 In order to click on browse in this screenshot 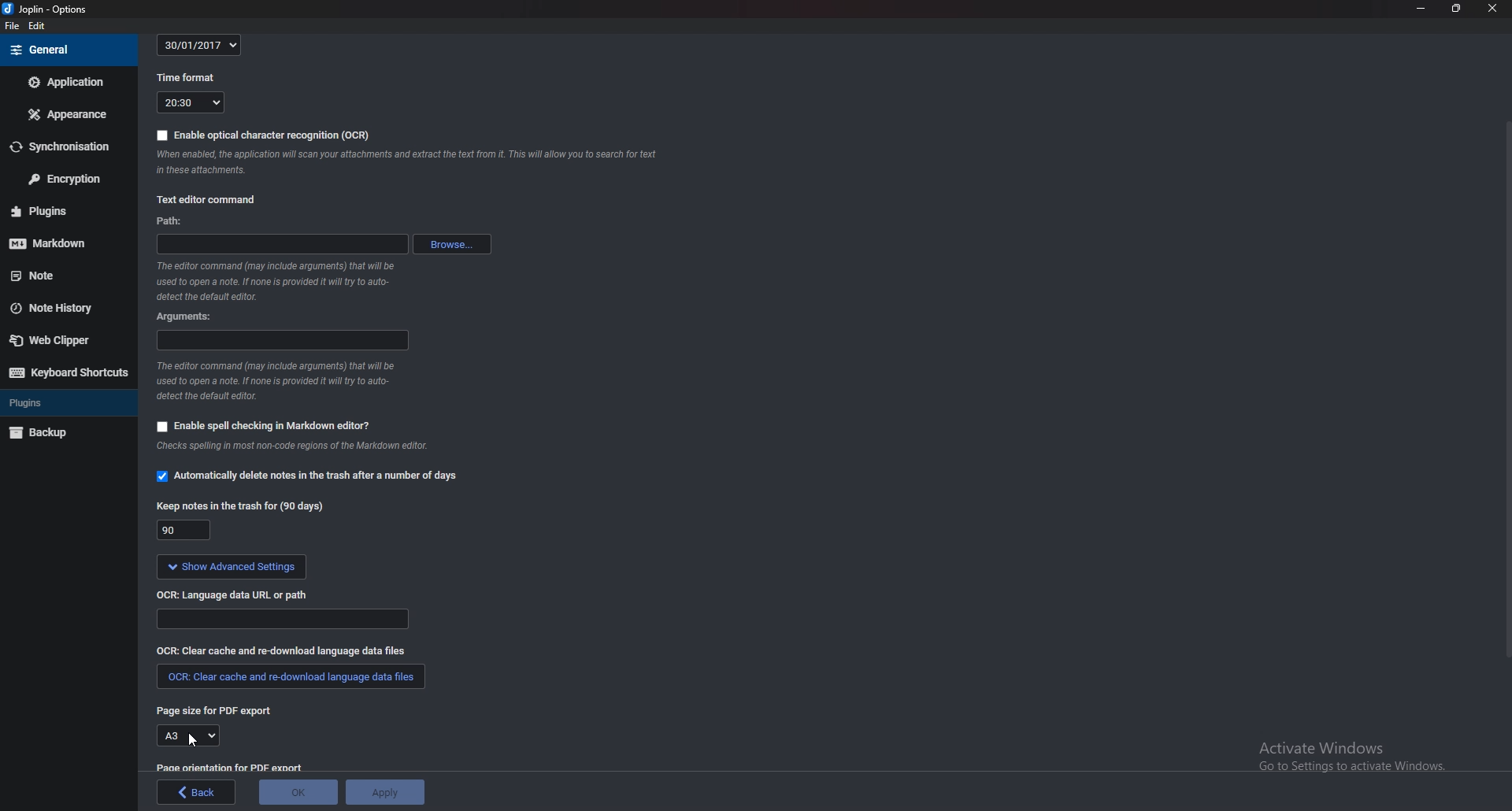, I will do `click(452, 243)`.